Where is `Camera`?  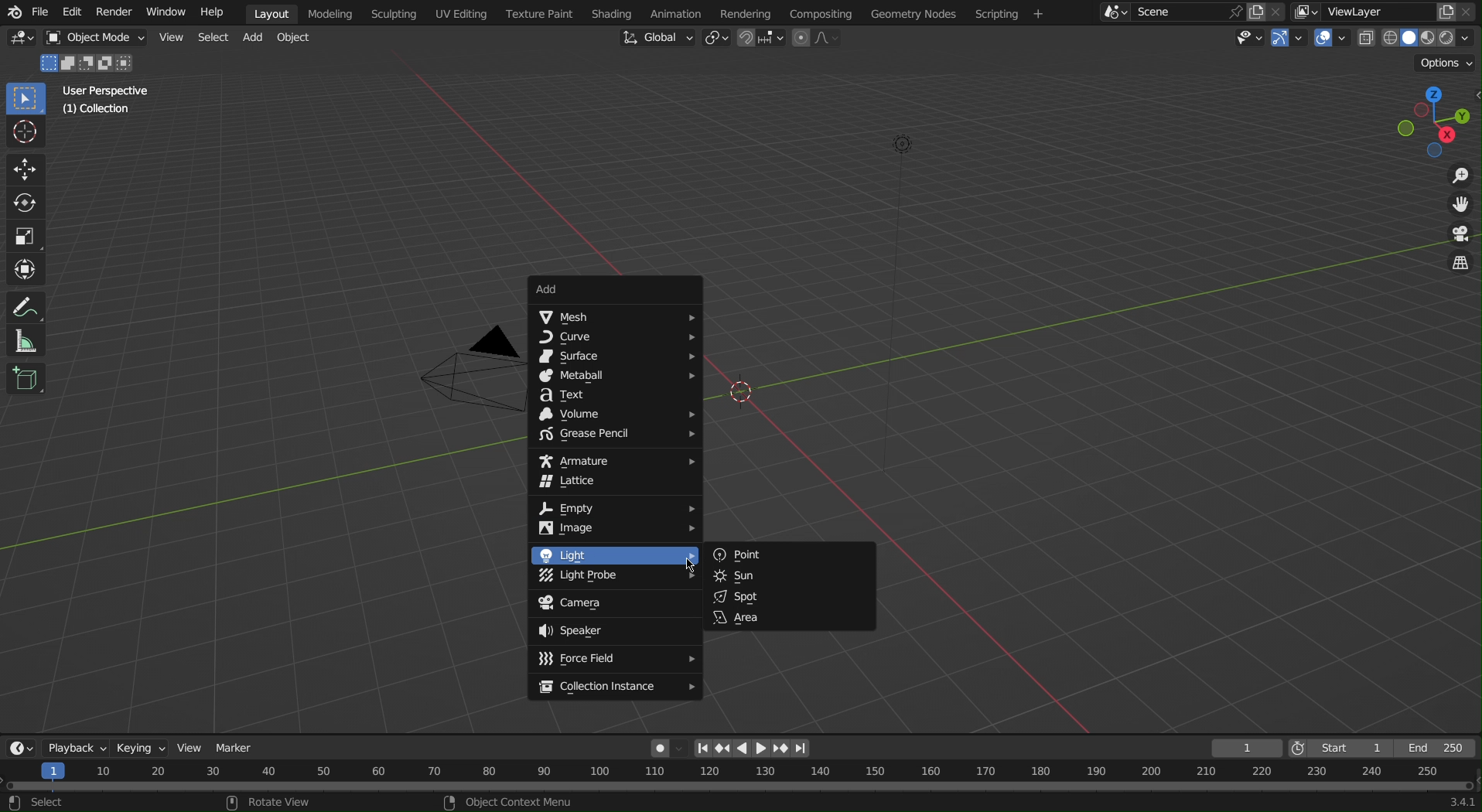
Camera is located at coordinates (614, 604).